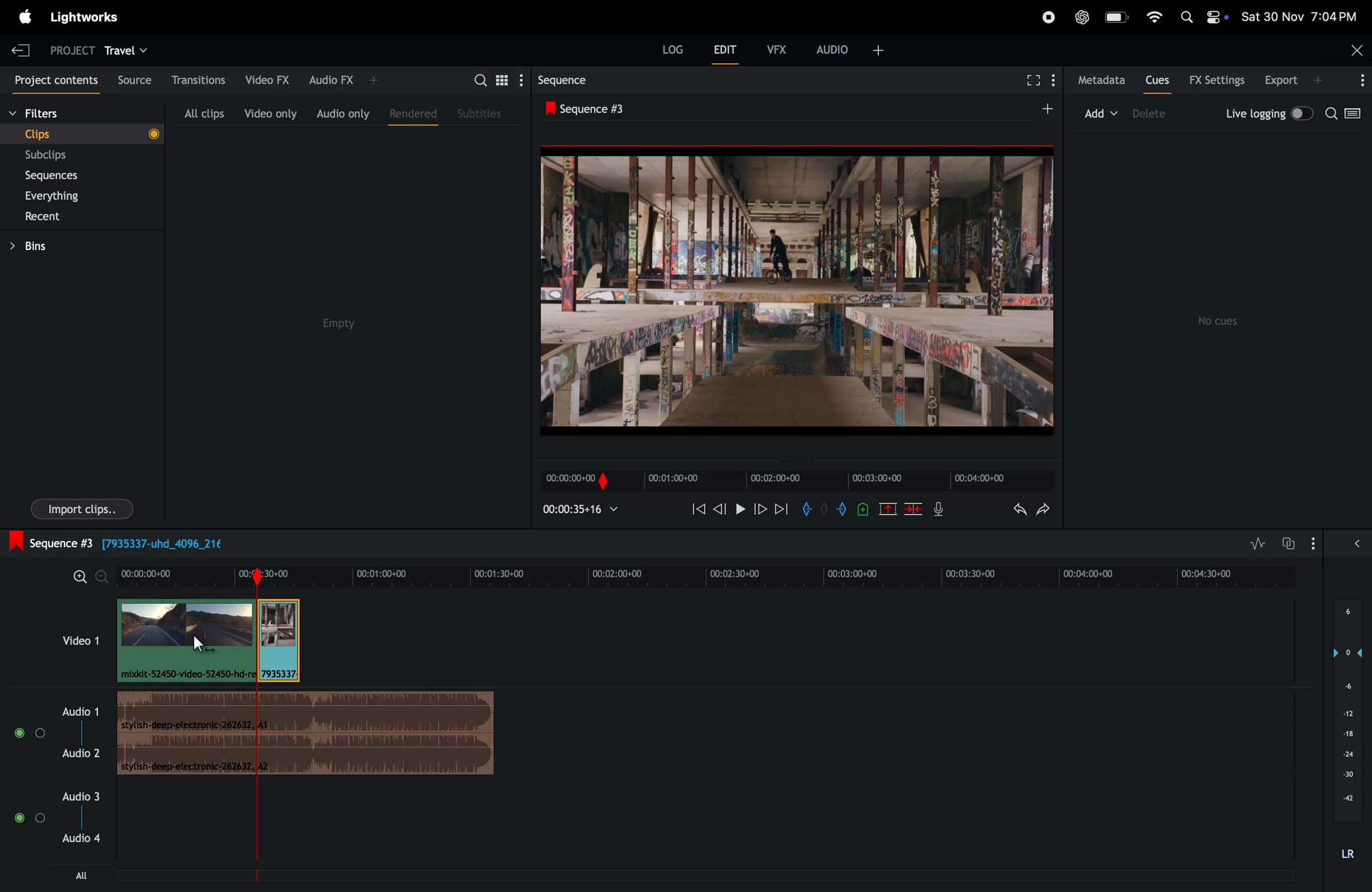  I want to click on sequence #3 [7935337-uhd_4096_21, so click(163, 543).